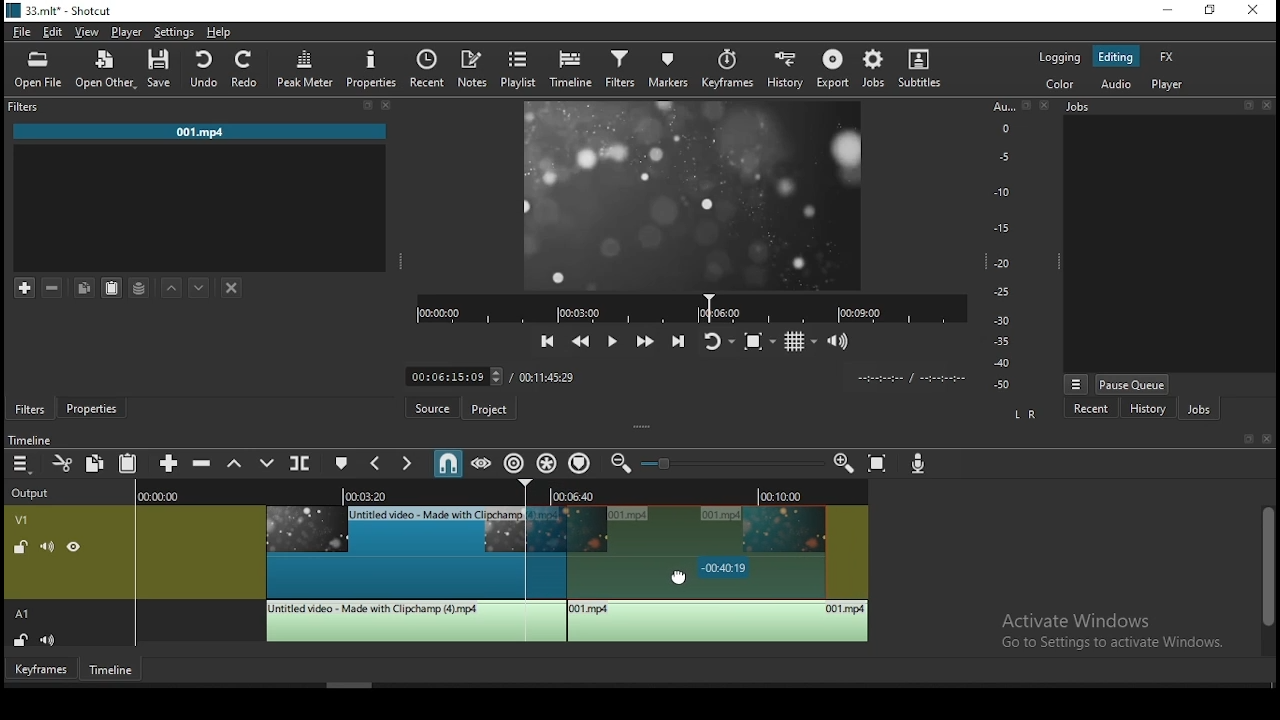  What do you see at coordinates (715, 340) in the screenshot?
I see `toggle player looping` at bounding box center [715, 340].